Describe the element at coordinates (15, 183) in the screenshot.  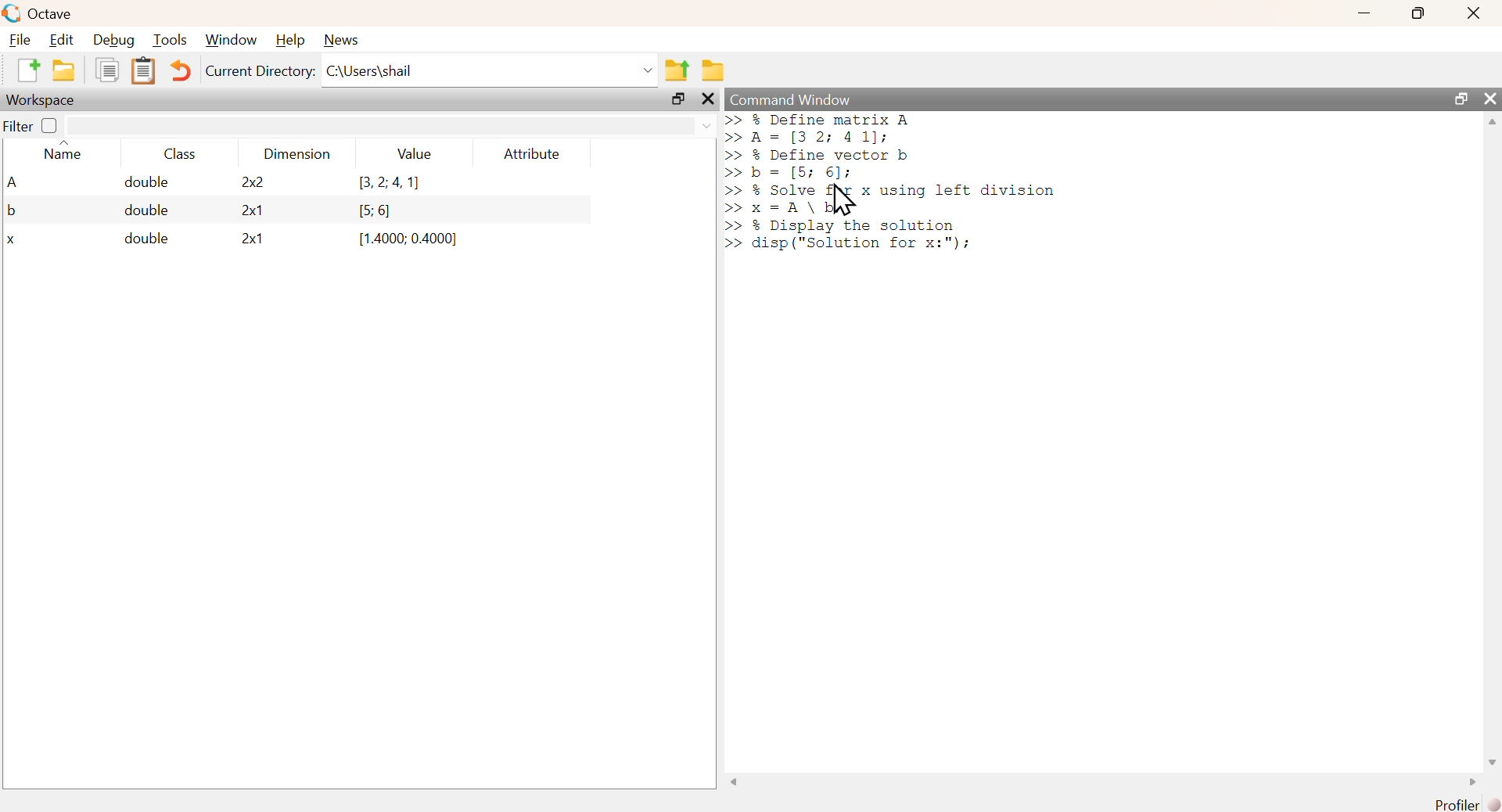
I see `A` at that location.